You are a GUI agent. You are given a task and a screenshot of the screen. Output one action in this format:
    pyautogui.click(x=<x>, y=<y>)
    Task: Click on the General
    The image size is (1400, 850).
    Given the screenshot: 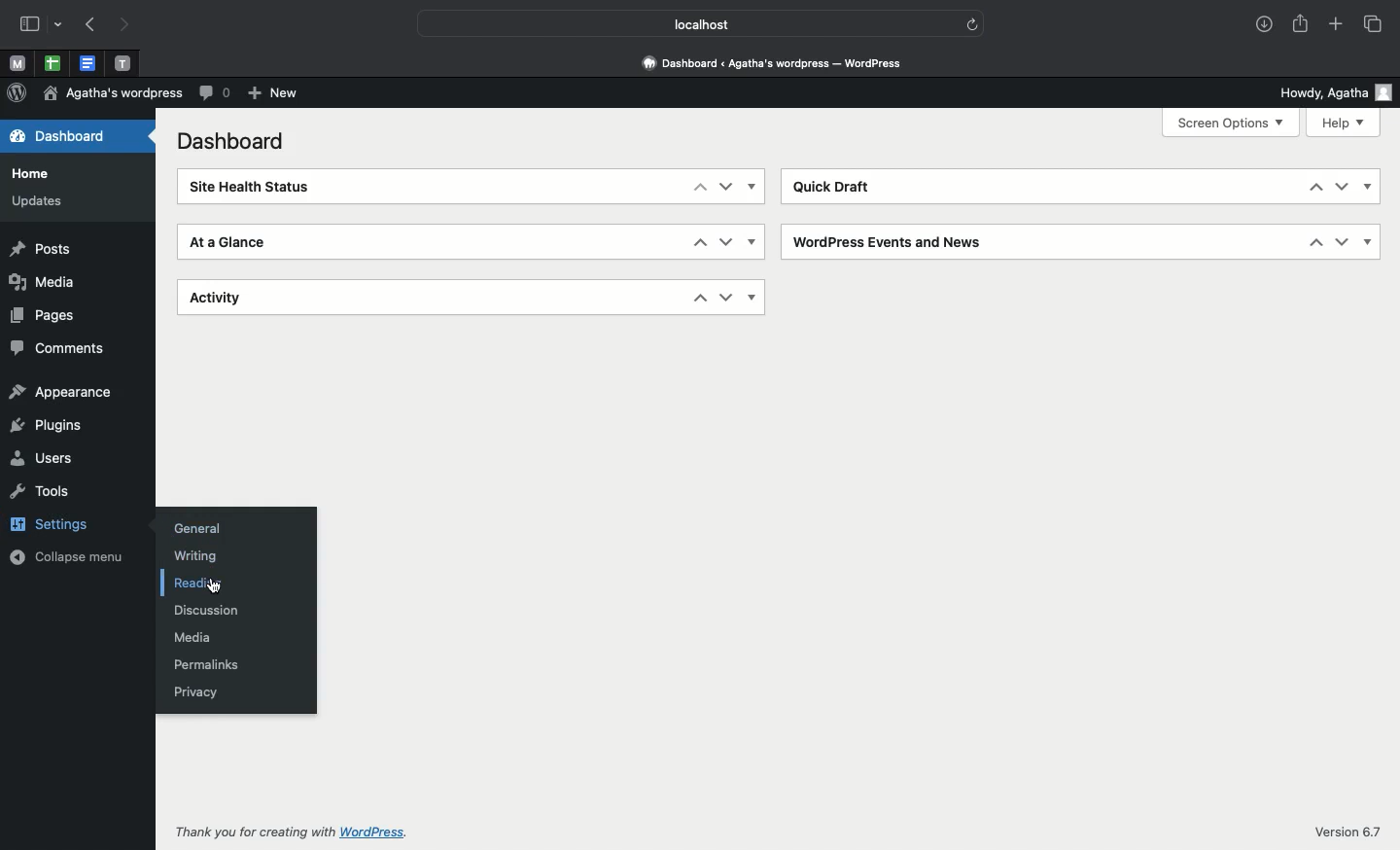 What is the action you would take?
    pyautogui.click(x=191, y=529)
    